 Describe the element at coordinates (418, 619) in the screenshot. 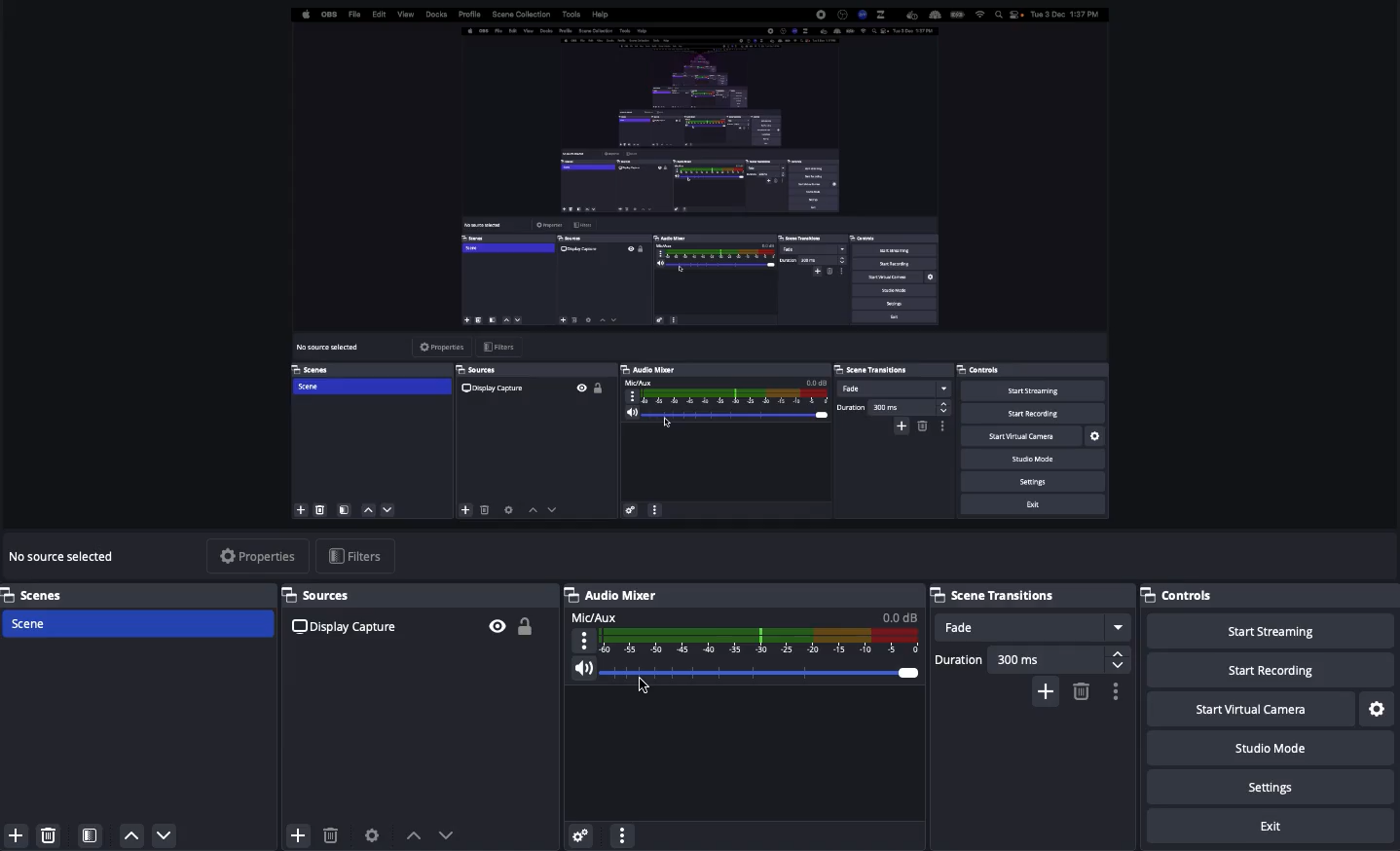

I see `Sources` at that location.